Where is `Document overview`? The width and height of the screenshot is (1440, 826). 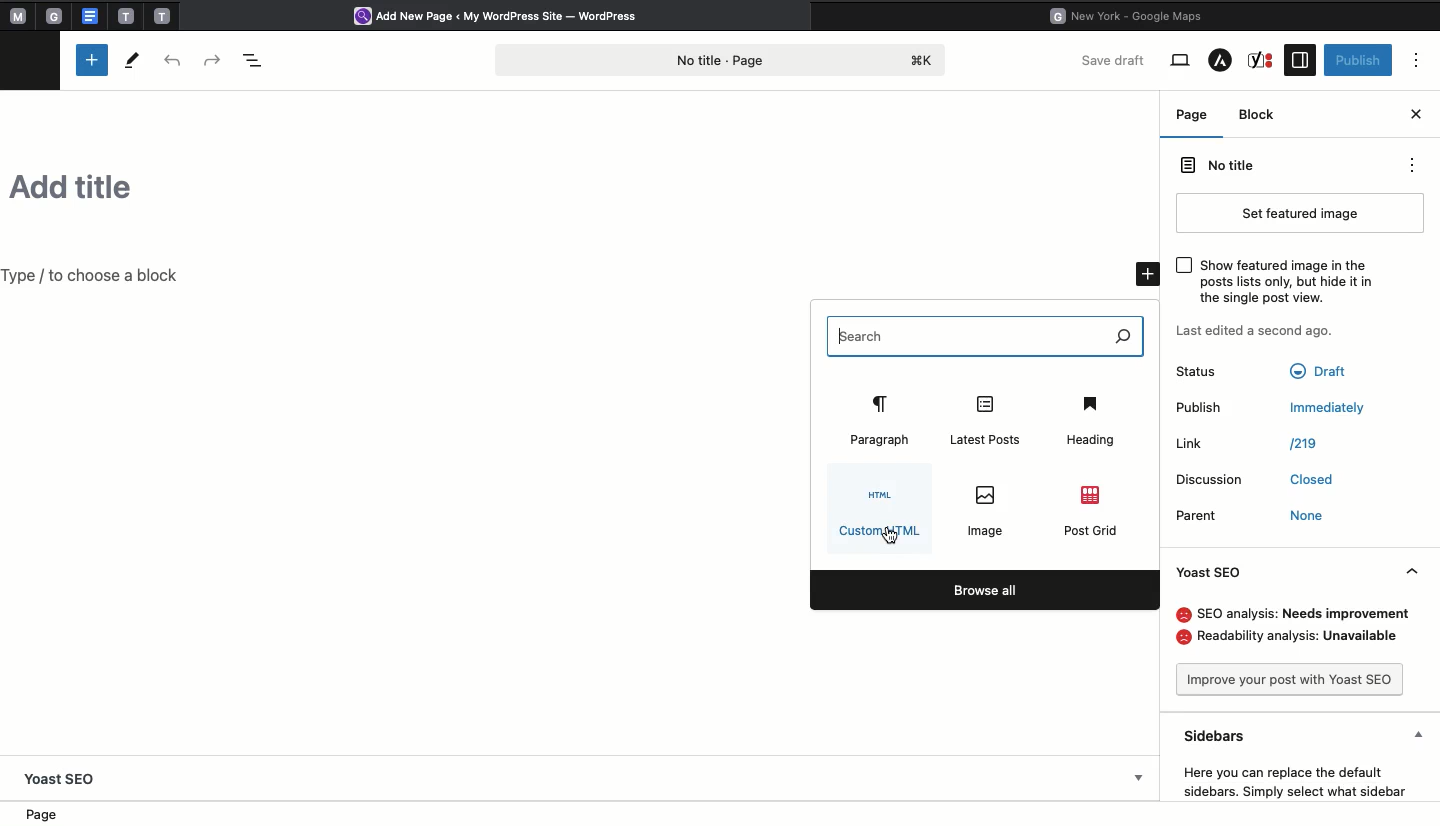
Document overview is located at coordinates (253, 58).